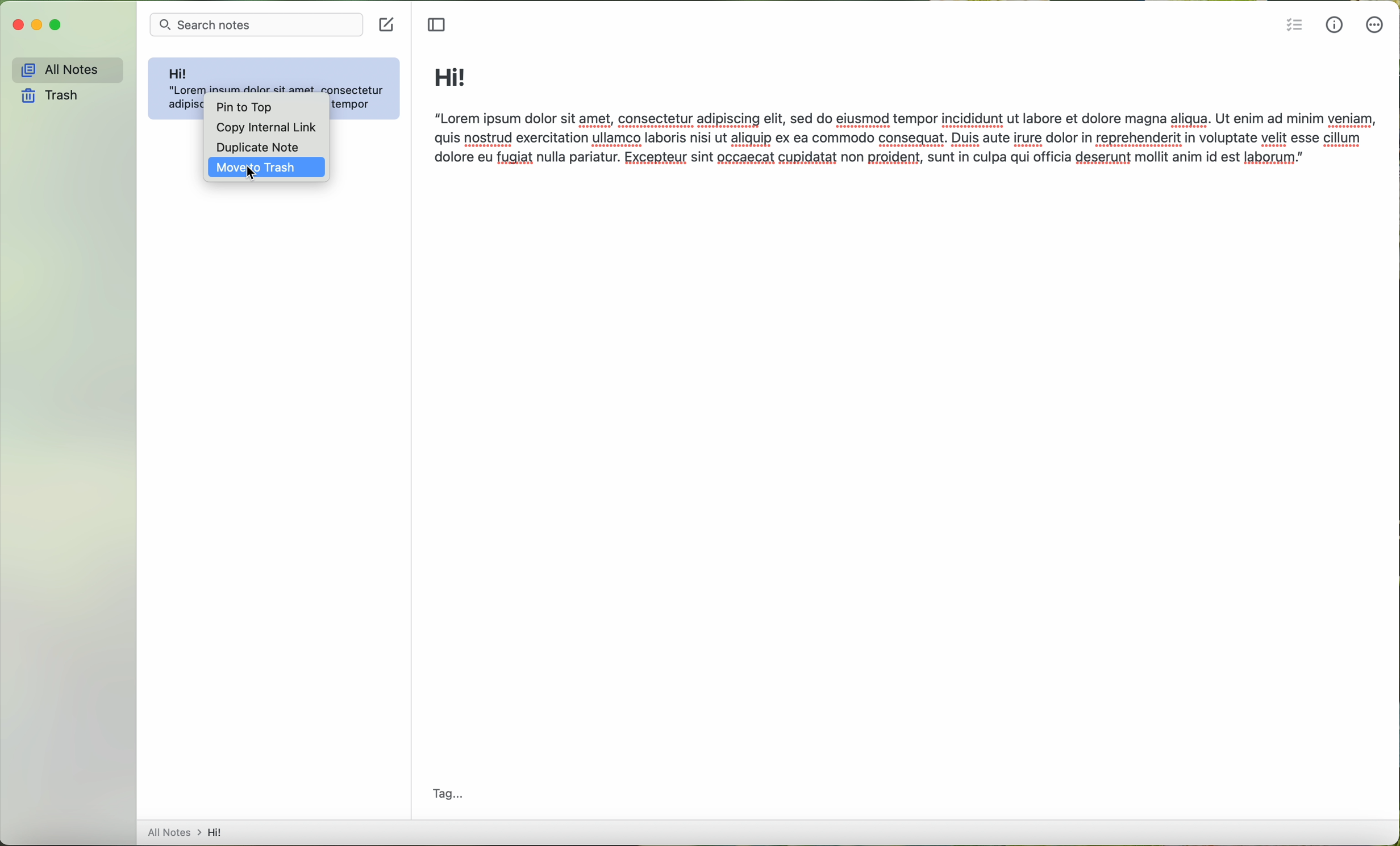 Image resolution: width=1400 pixels, height=846 pixels. I want to click on Hi, so click(180, 70).